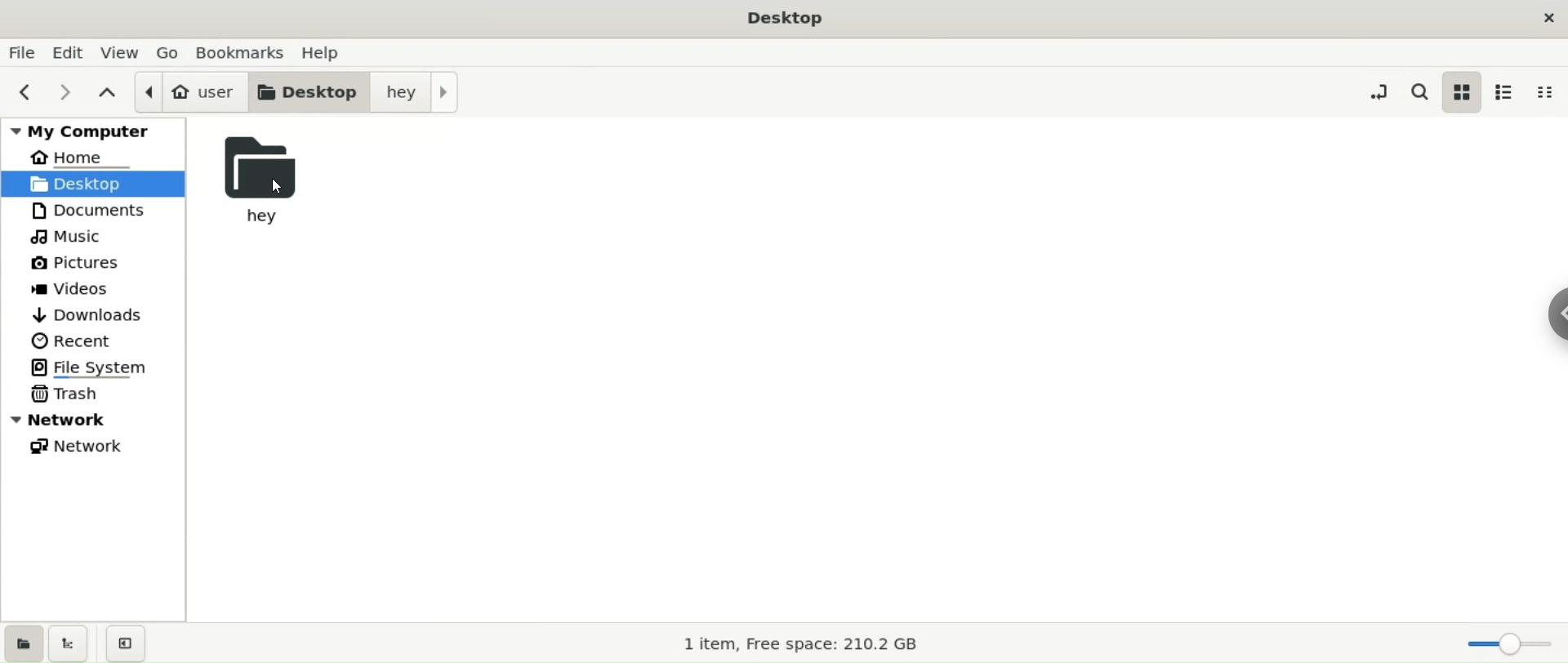 This screenshot has height=663, width=1568. Describe the element at coordinates (71, 340) in the screenshot. I see `recent` at that location.